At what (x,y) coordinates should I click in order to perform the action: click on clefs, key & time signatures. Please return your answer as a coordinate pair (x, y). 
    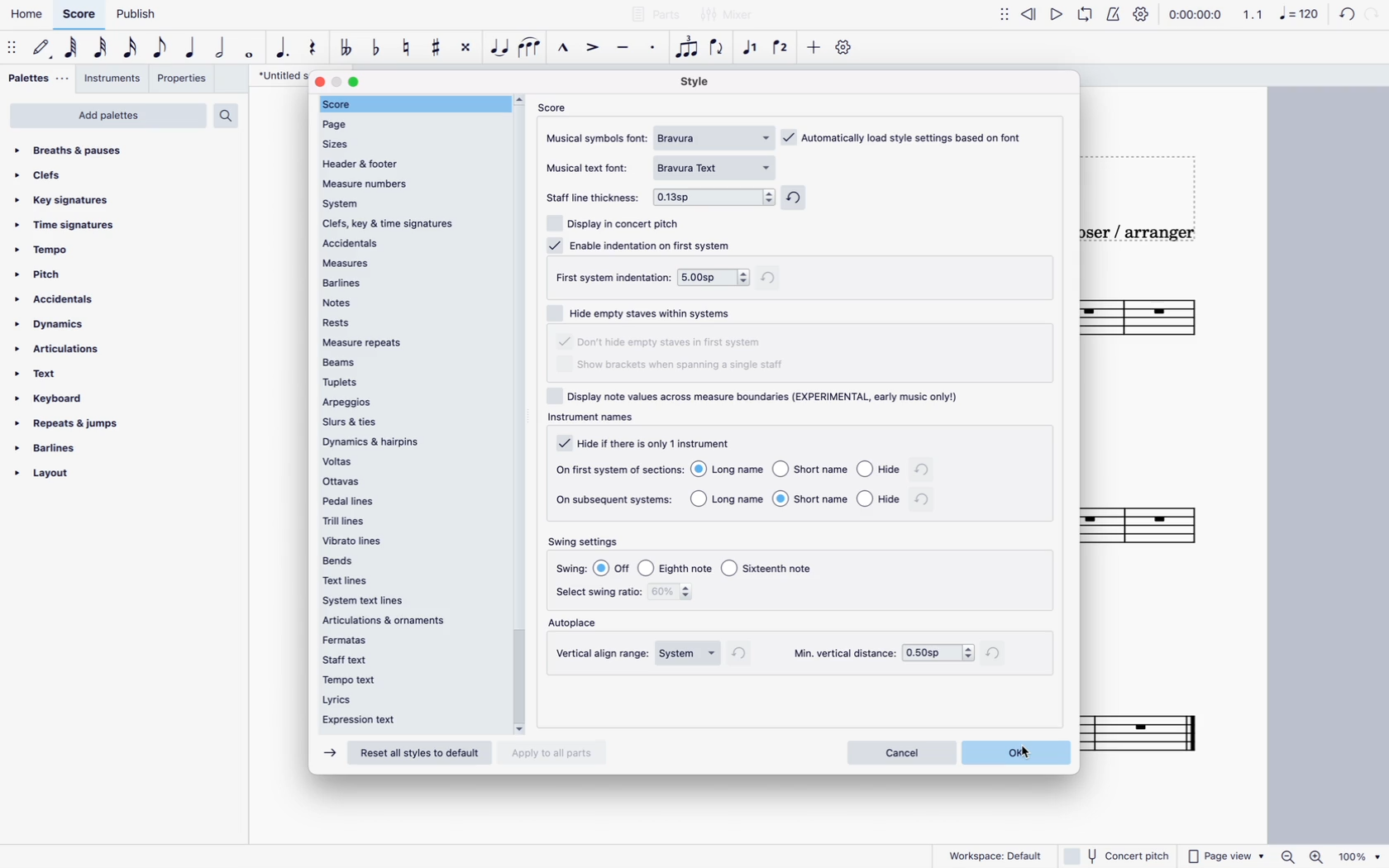
    Looking at the image, I should click on (411, 223).